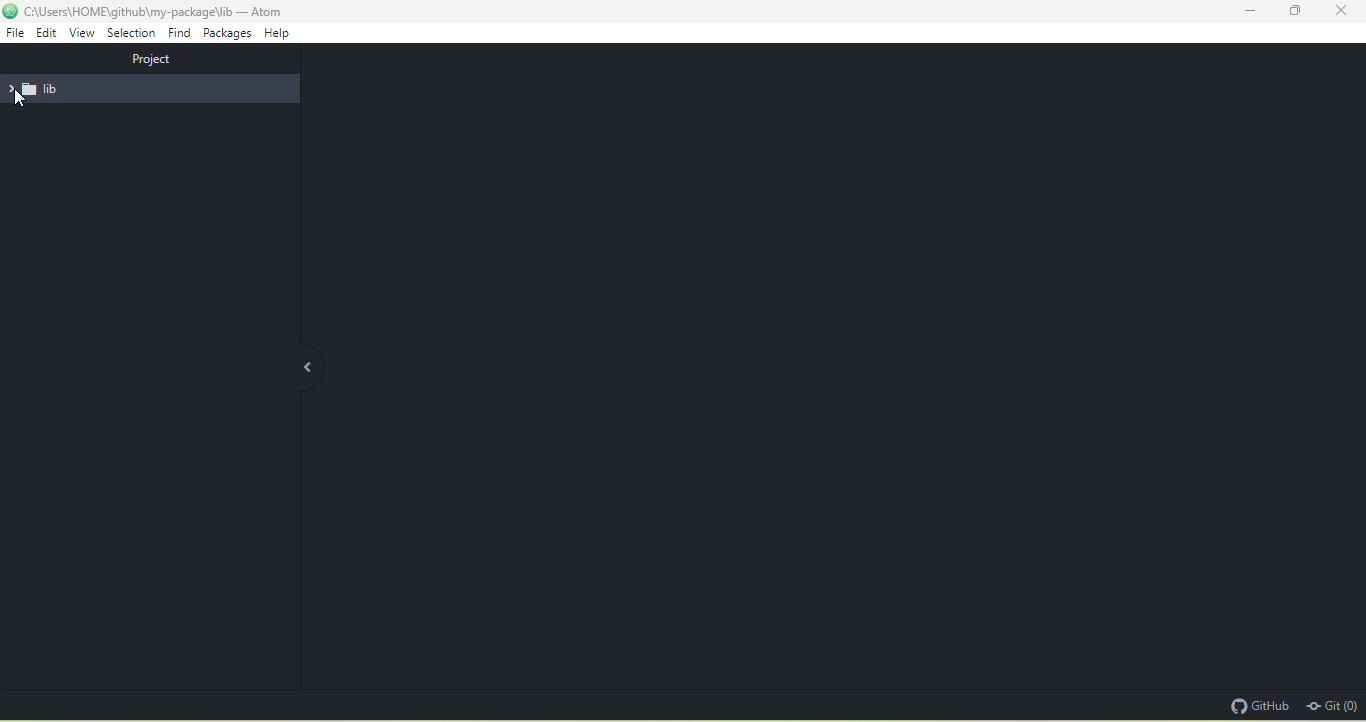  I want to click on github, so click(1254, 704).